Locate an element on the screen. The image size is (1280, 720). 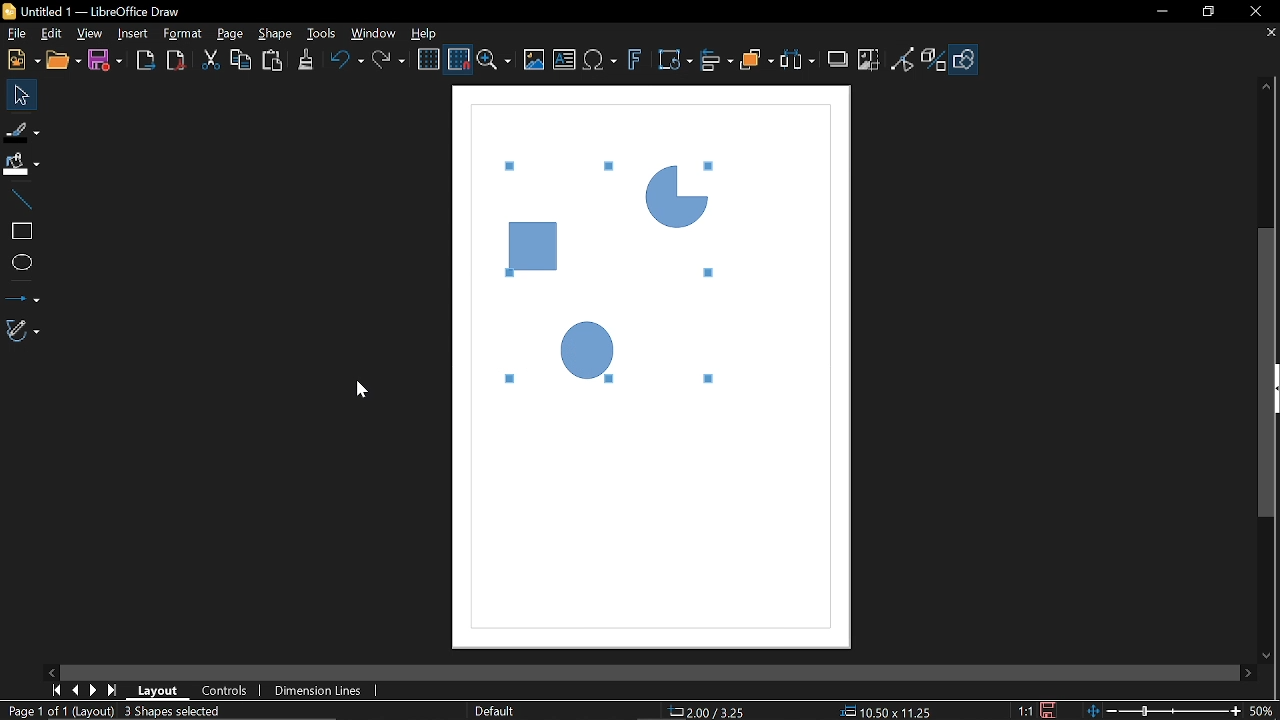
Copy is located at coordinates (241, 60).